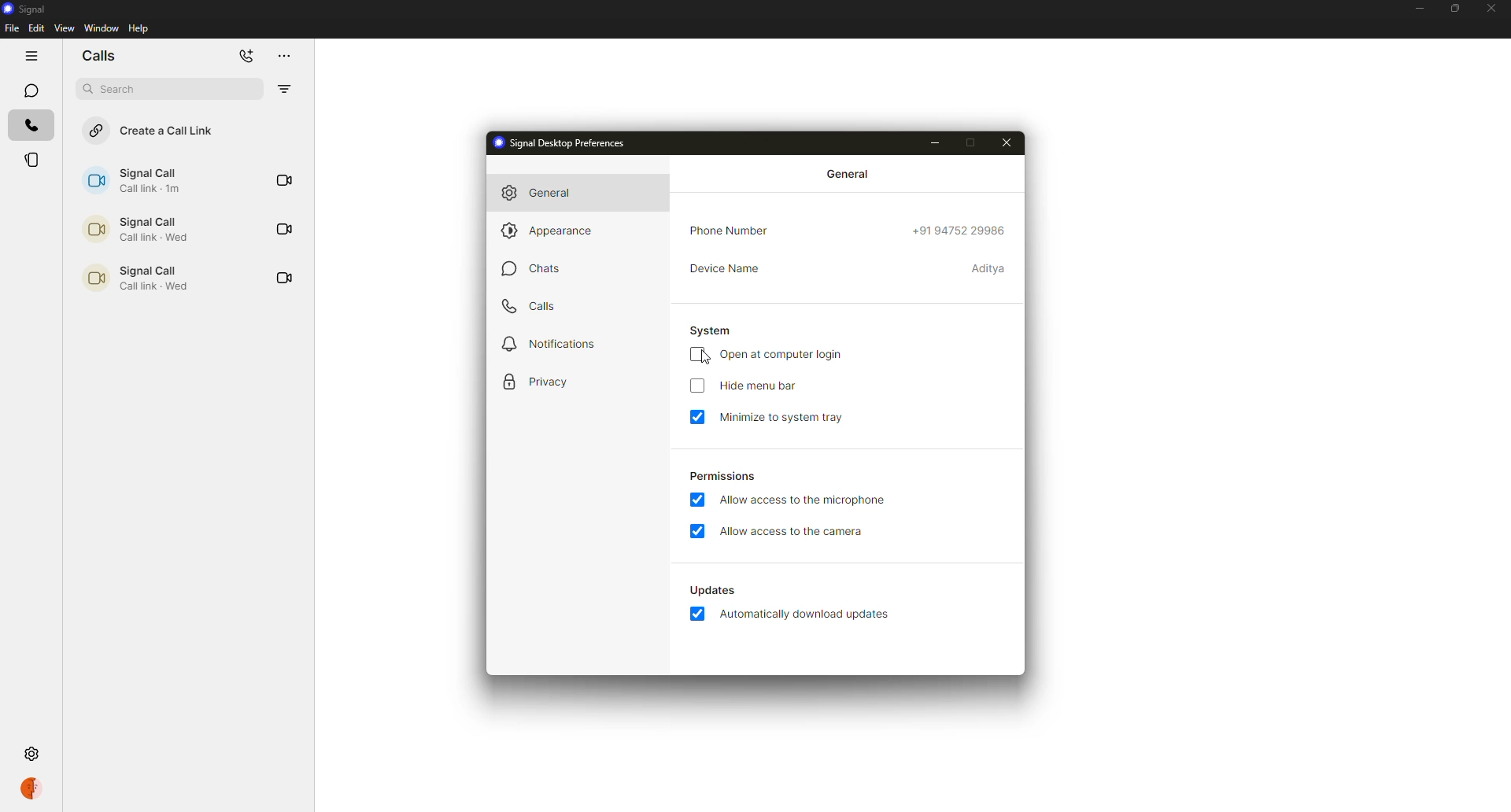 This screenshot has height=812, width=1511. I want to click on general, so click(850, 175).